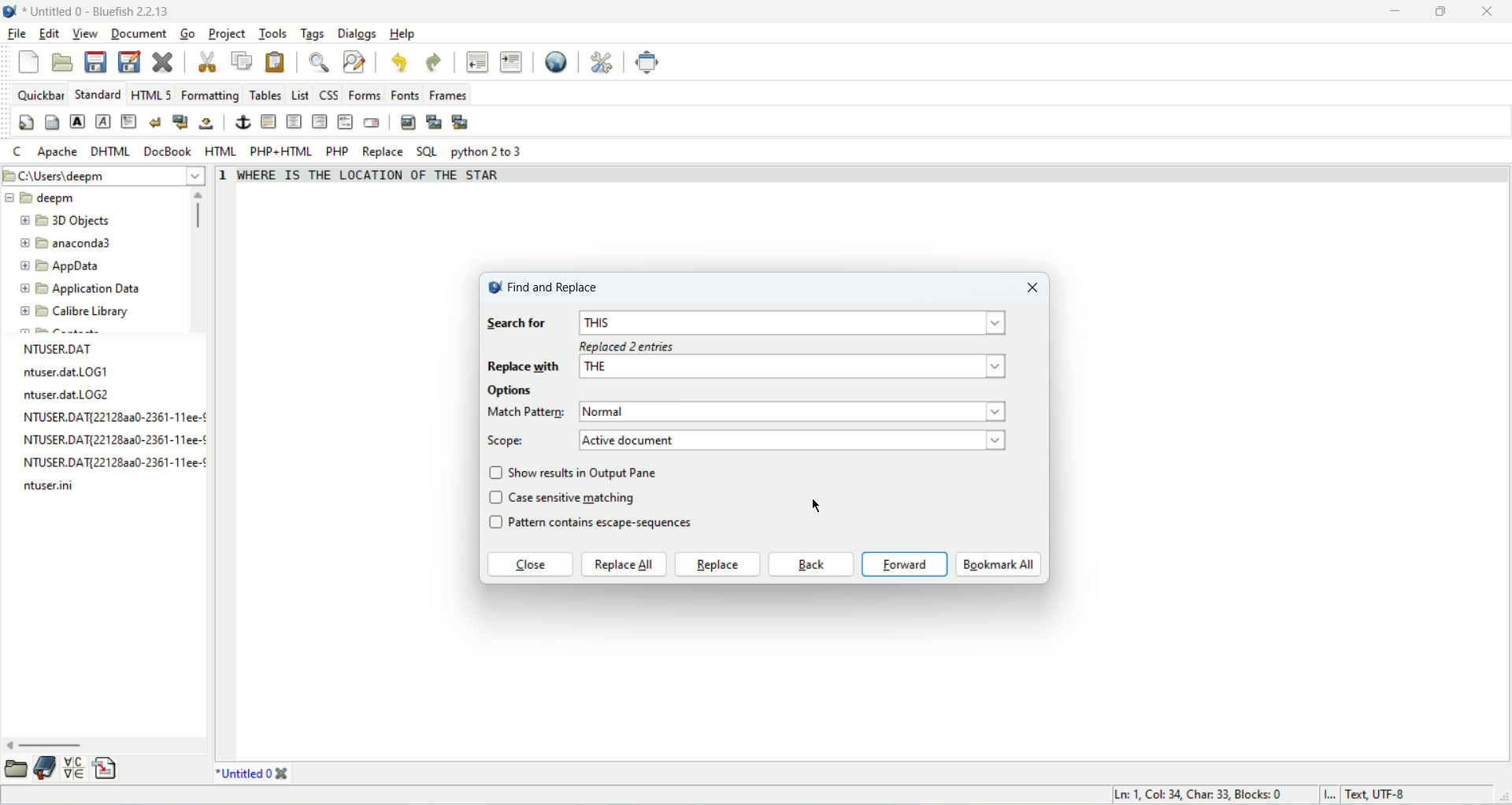 The image size is (1512, 805). I want to click on checkbox, so click(495, 499).